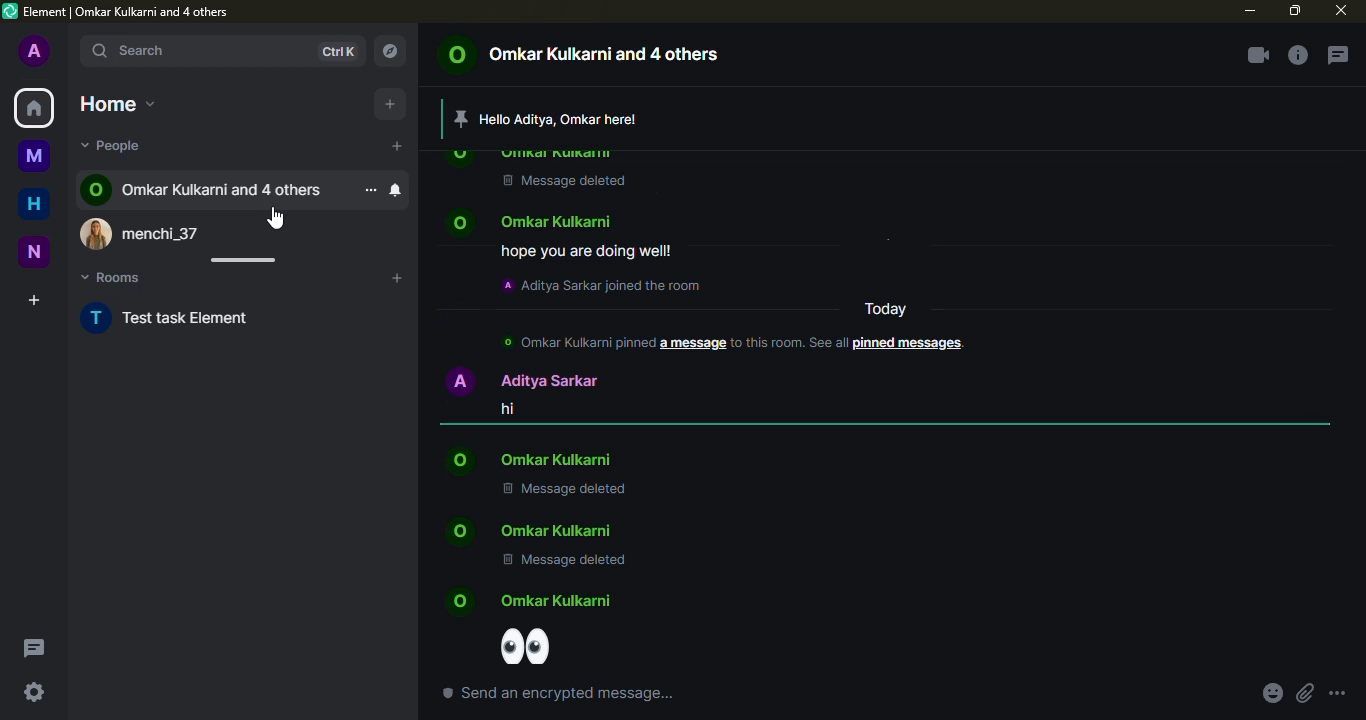 Image resolution: width=1366 pixels, height=720 pixels. Describe the element at coordinates (537, 222) in the screenshot. I see `omkar kulkarni` at that location.